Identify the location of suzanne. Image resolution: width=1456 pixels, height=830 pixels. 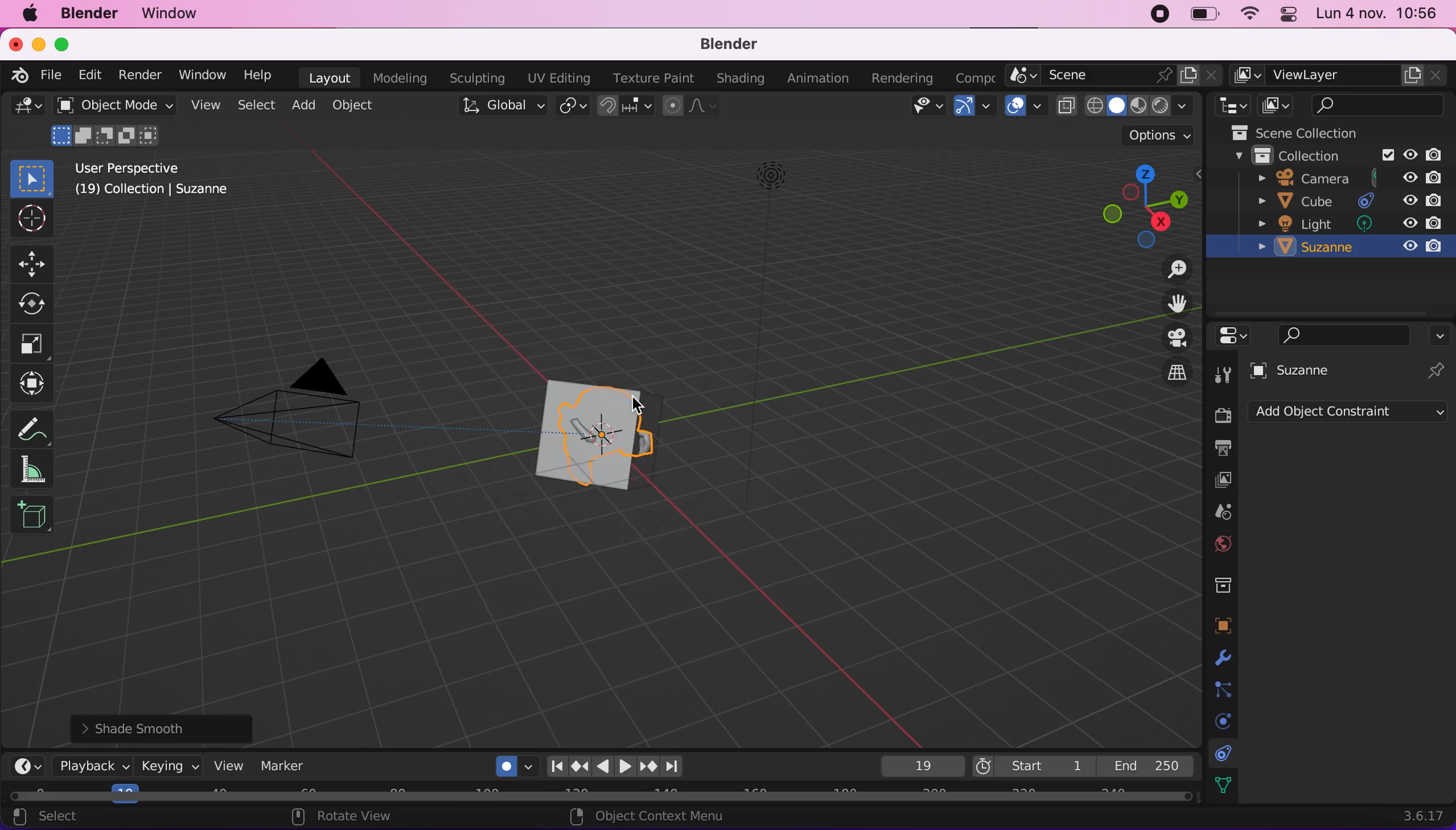
(584, 436).